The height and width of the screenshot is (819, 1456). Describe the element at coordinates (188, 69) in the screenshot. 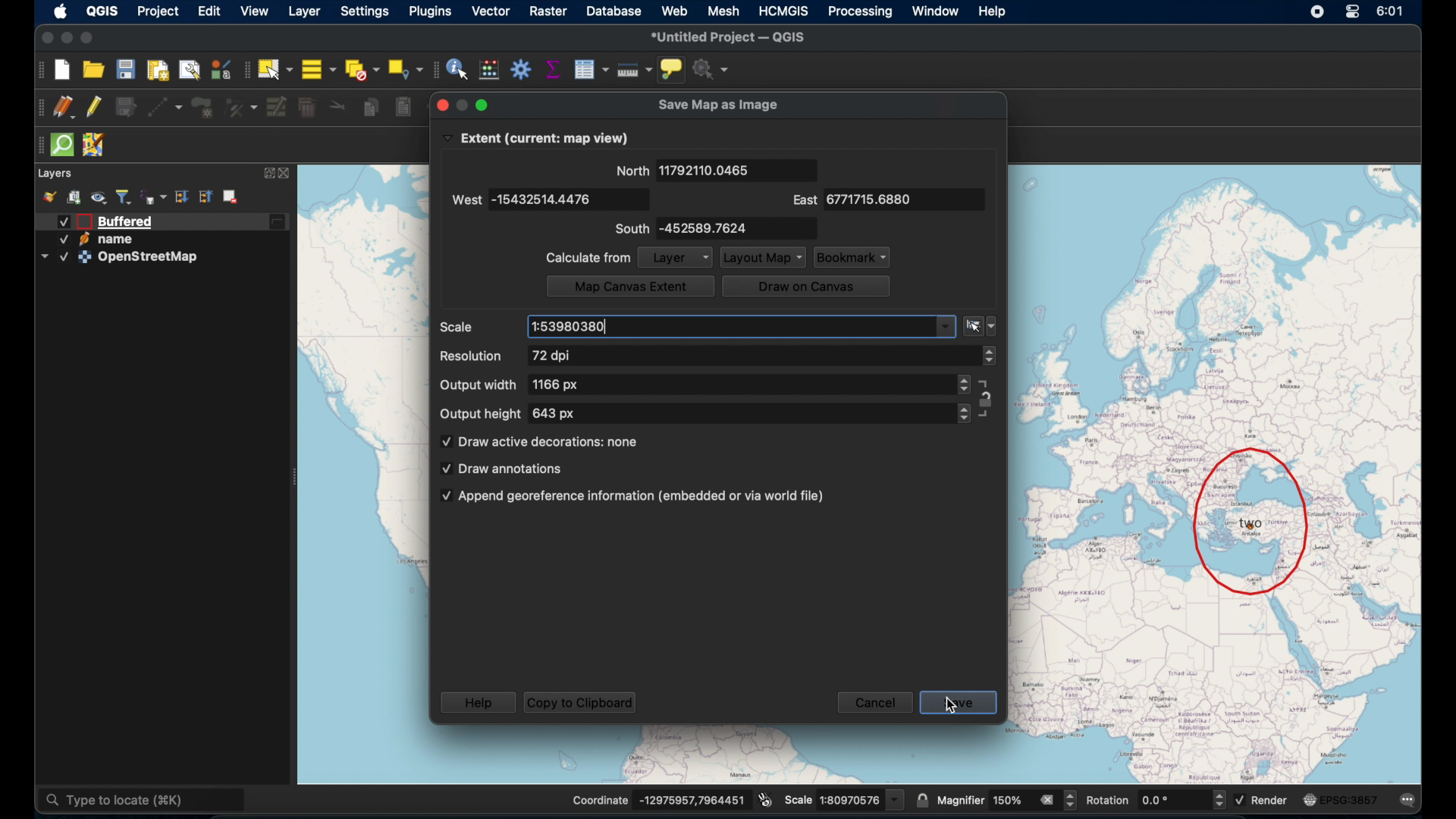

I see `show layout manager` at that location.